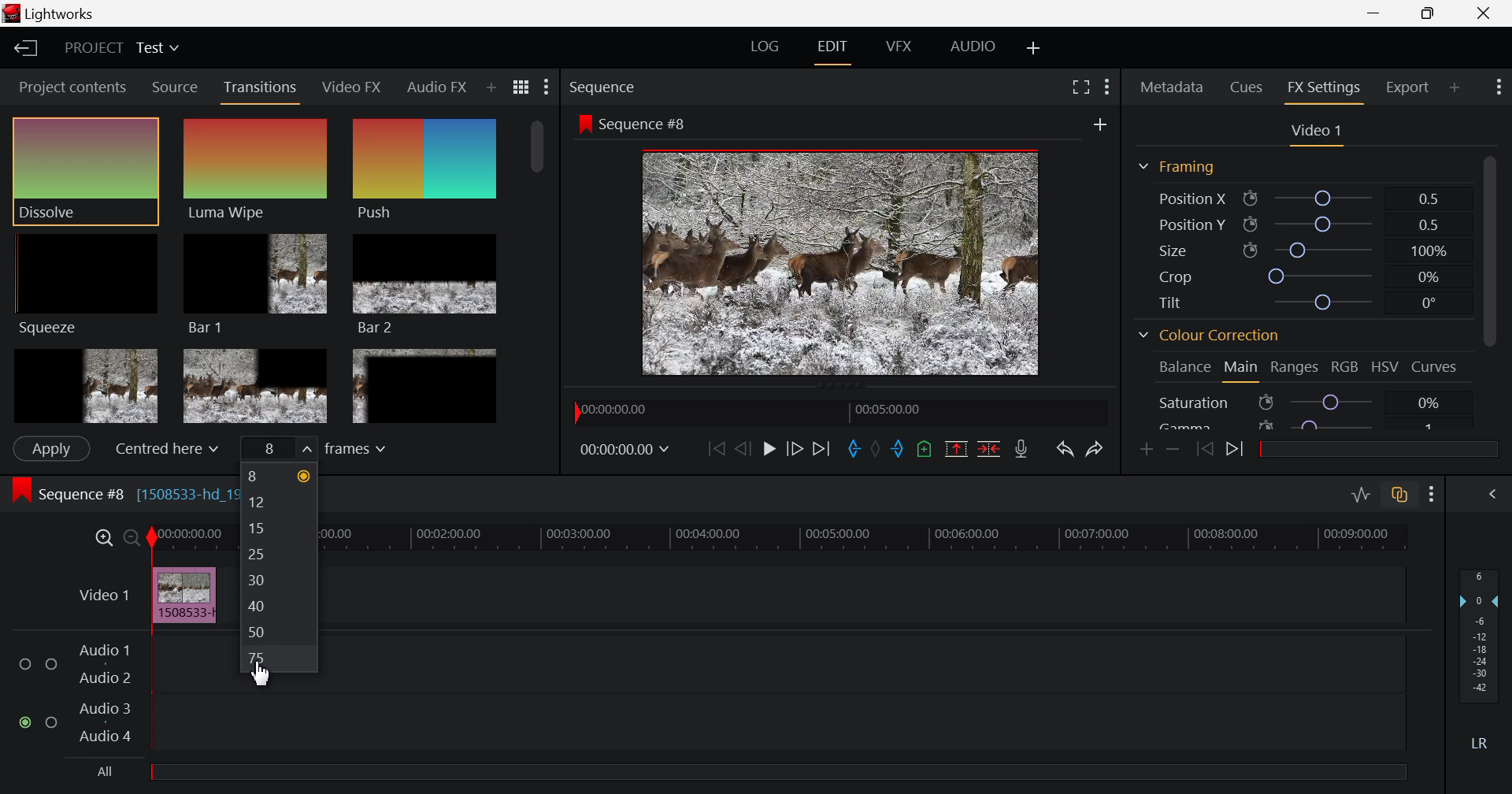  What do you see at coordinates (254, 168) in the screenshot?
I see `Luma Wipe` at bounding box center [254, 168].